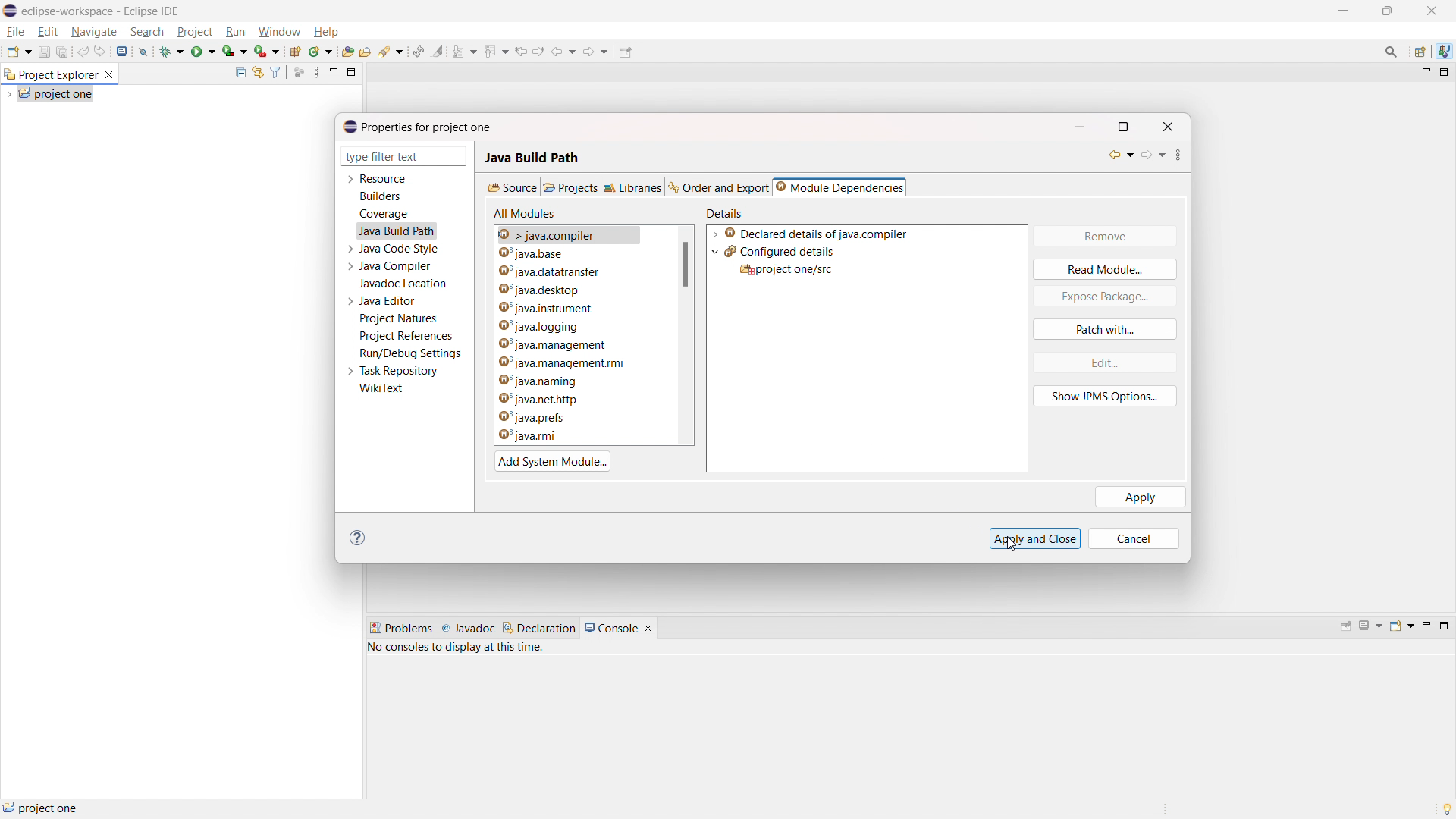 This screenshot has height=819, width=1456. Describe the element at coordinates (1130, 126) in the screenshot. I see `maximize` at that location.